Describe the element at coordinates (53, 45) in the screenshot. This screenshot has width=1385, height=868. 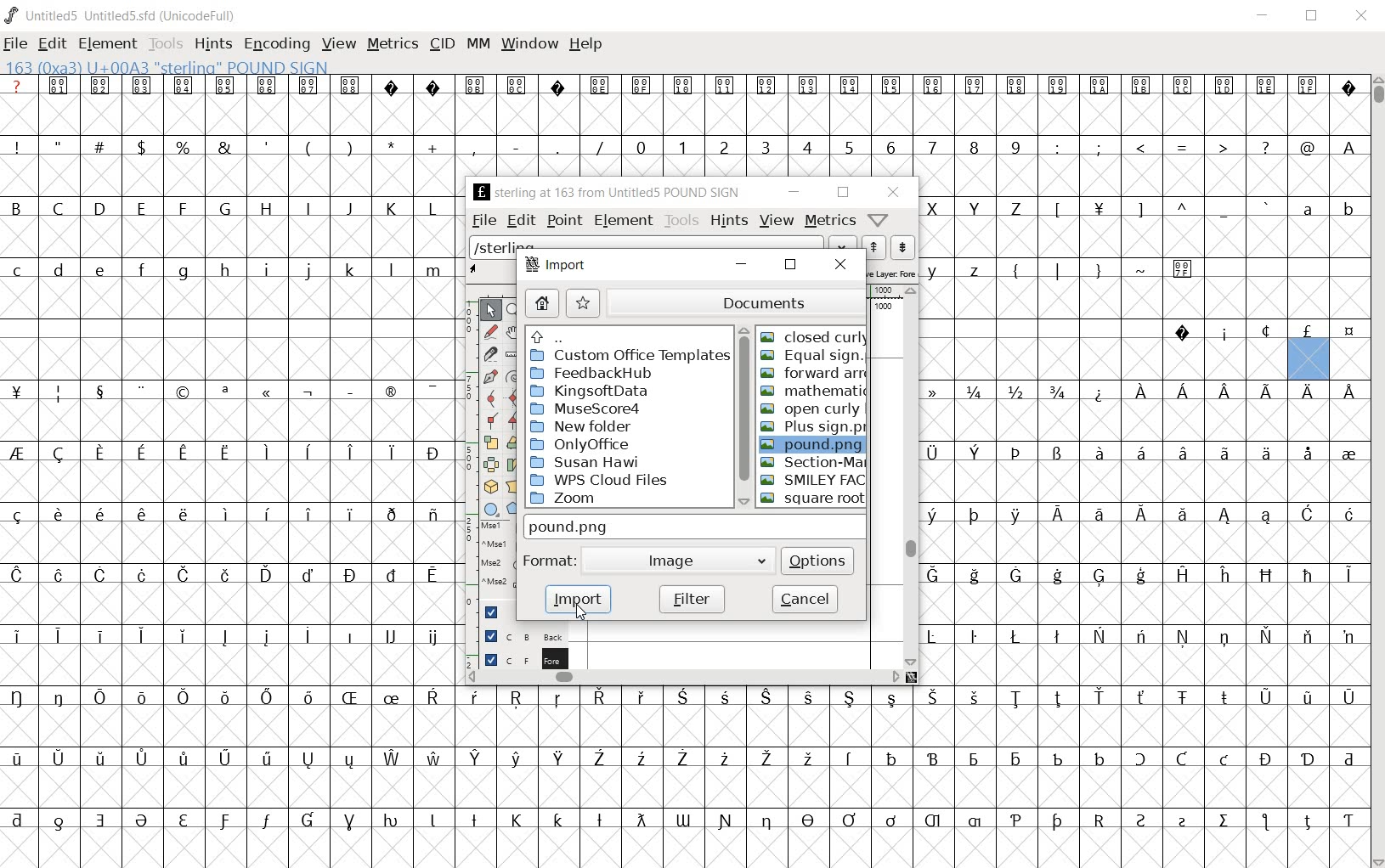
I see `edit` at that location.